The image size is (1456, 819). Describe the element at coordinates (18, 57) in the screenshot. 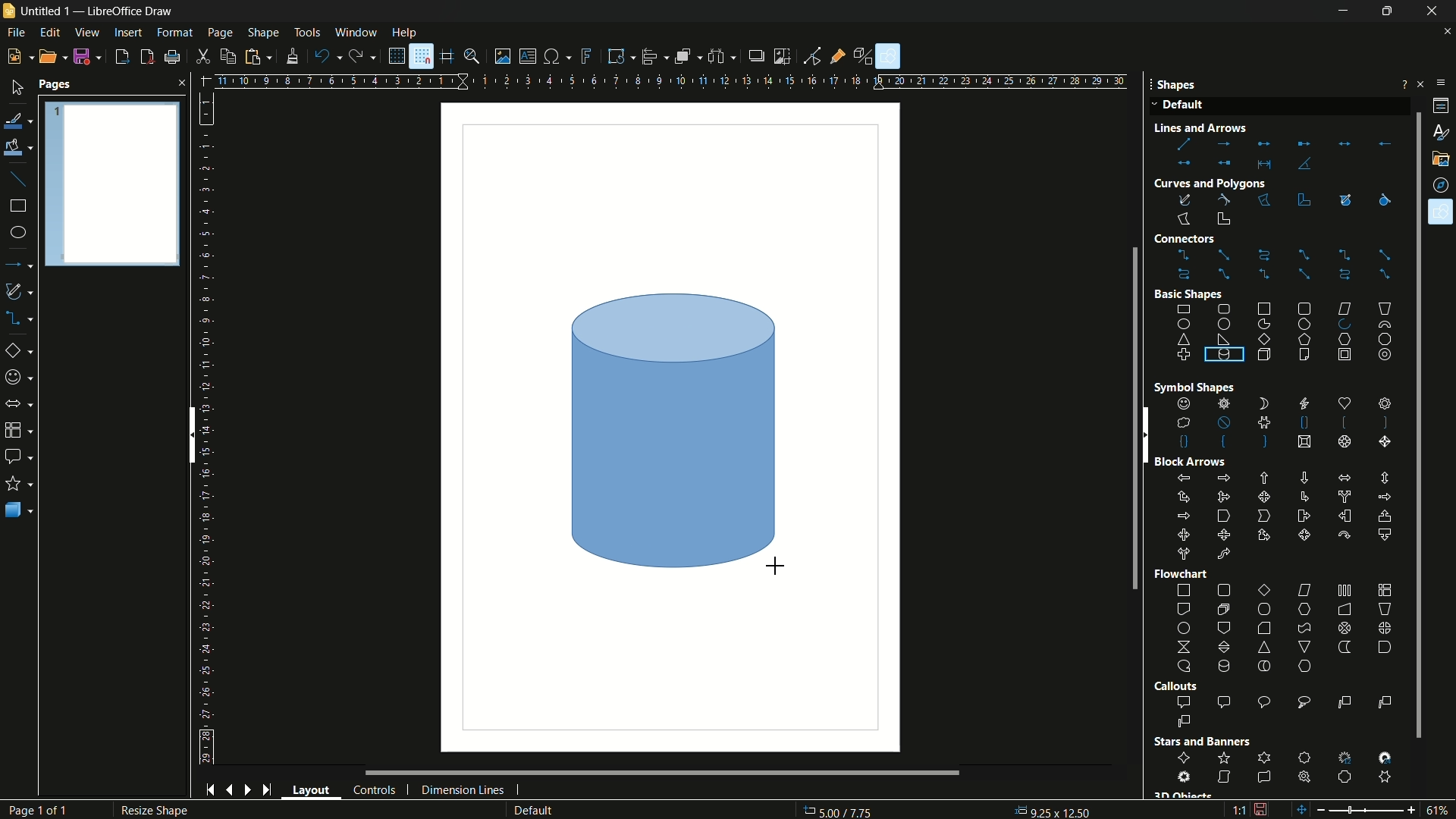

I see `new file` at that location.